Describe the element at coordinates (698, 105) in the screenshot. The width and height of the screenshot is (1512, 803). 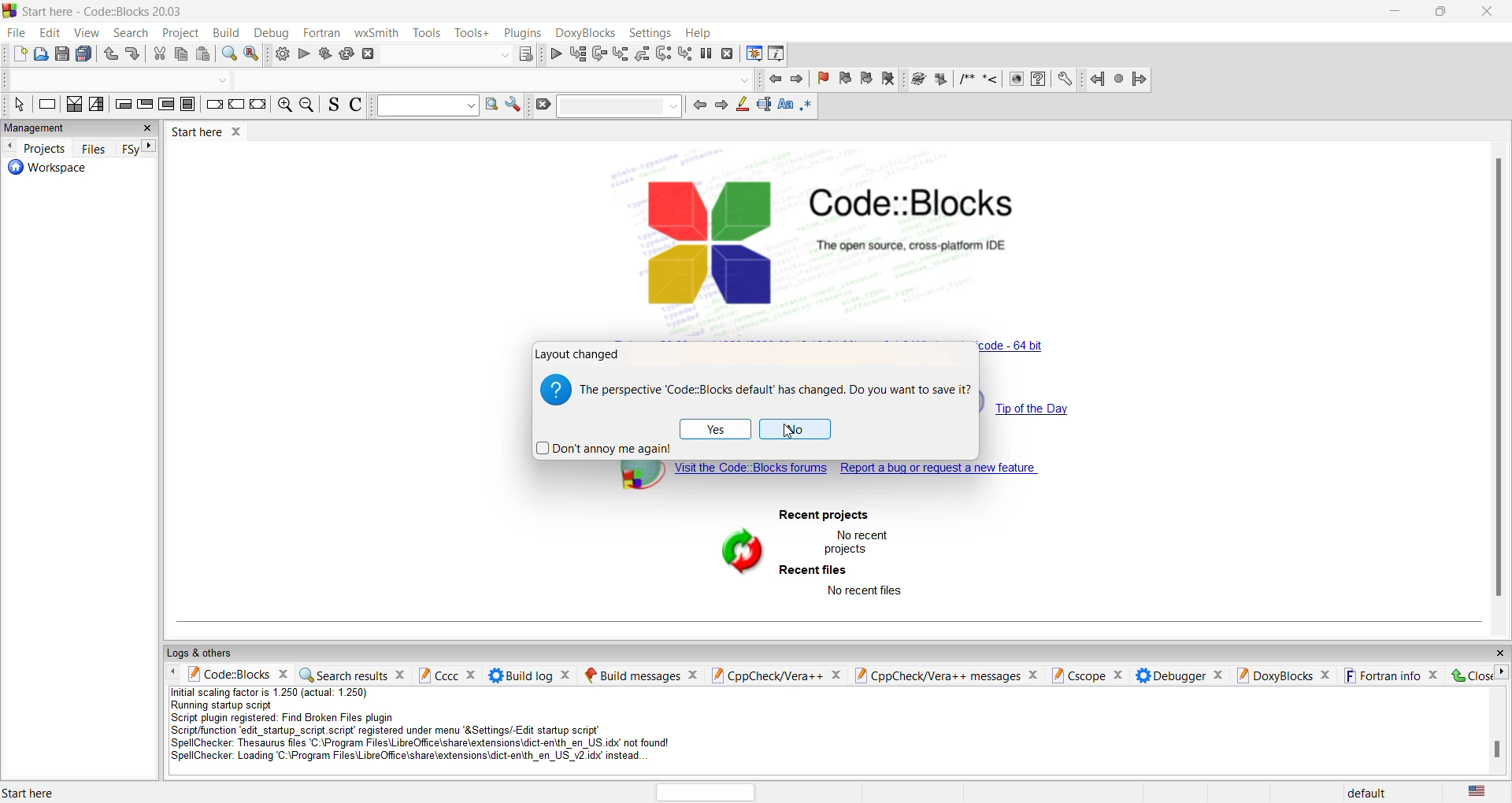
I see `previous` at that location.